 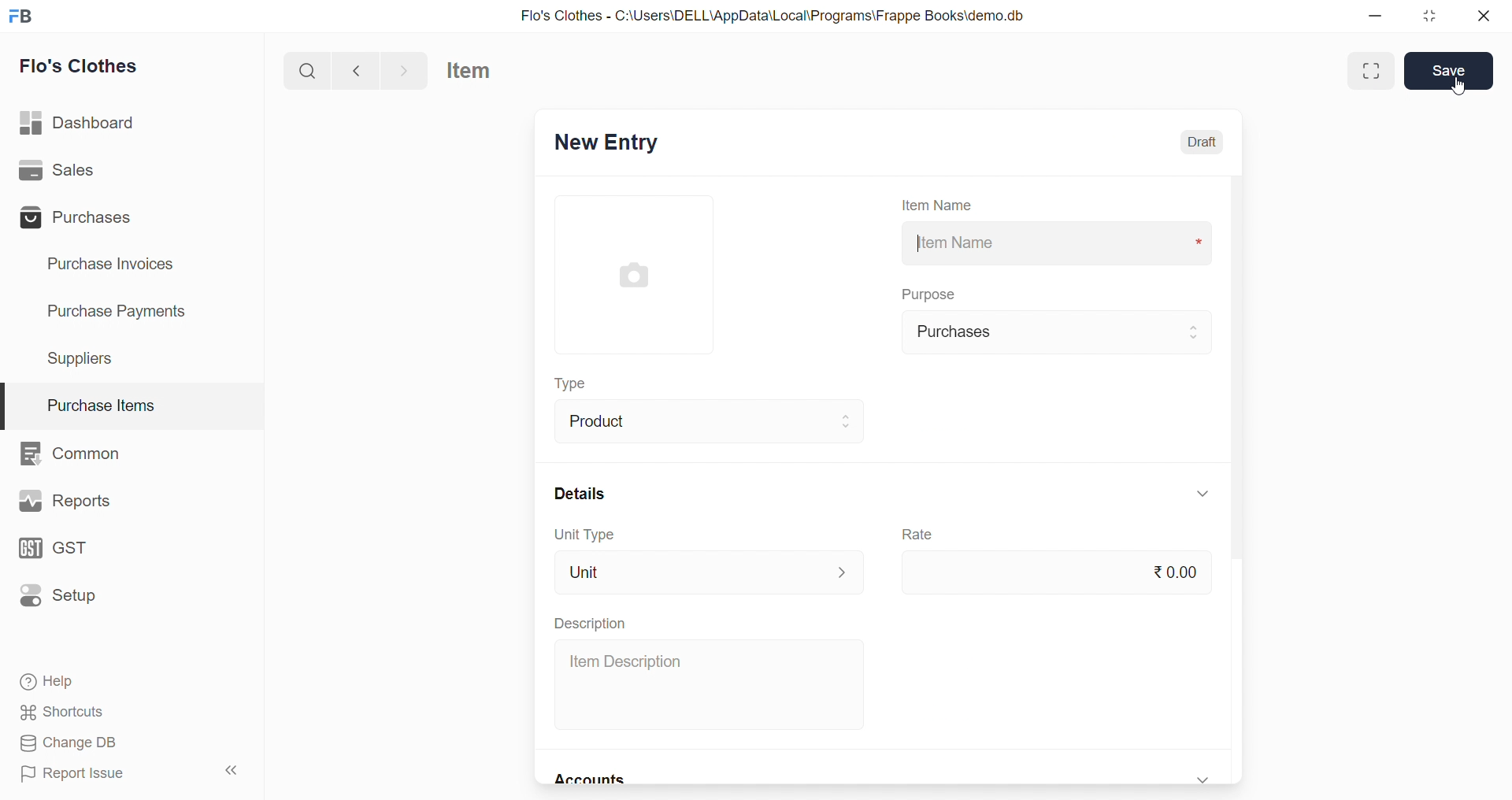 What do you see at coordinates (583, 535) in the screenshot?
I see `Unit Type` at bounding box center [583, 535].